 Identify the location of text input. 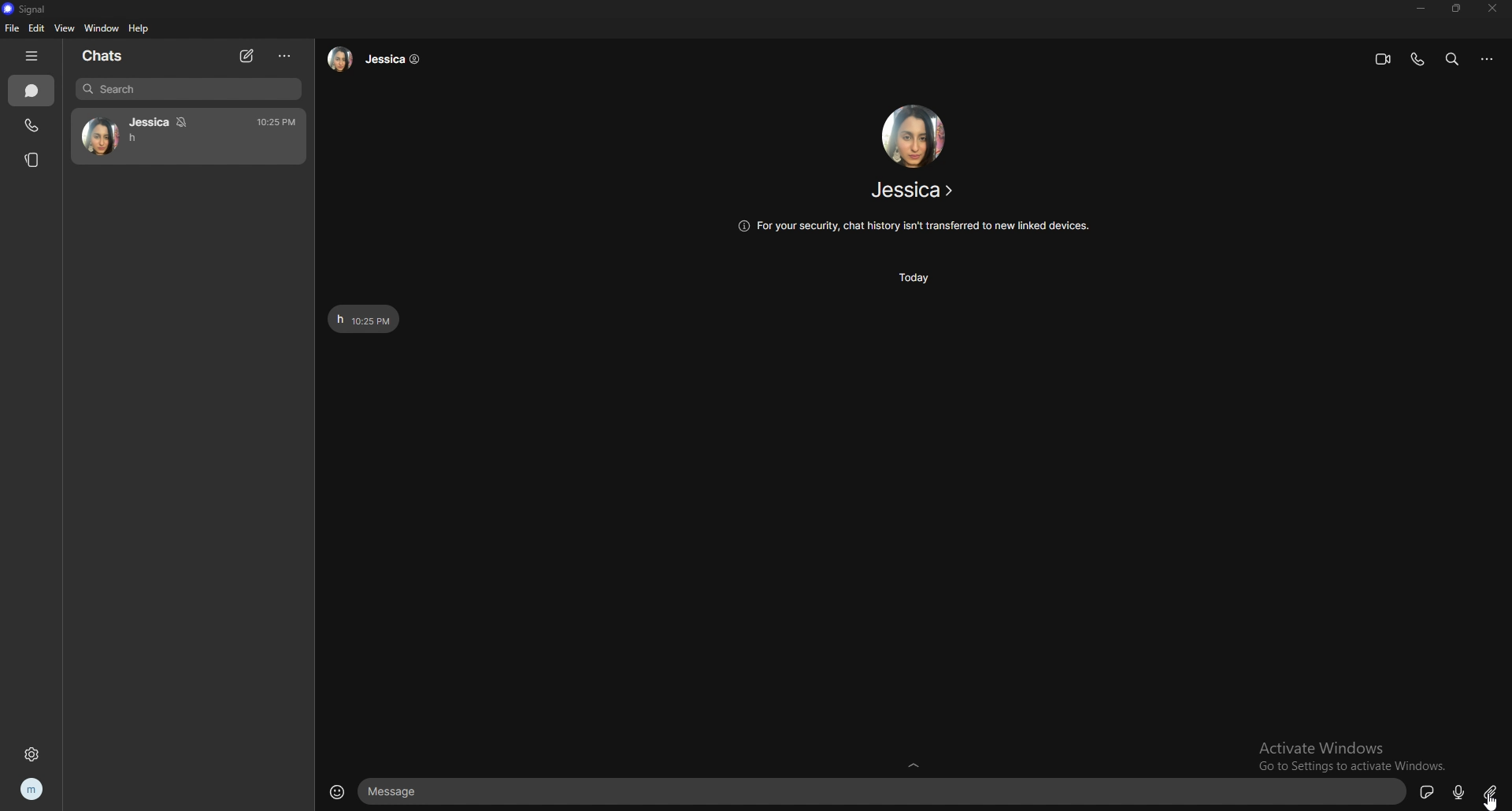
(884, 792).